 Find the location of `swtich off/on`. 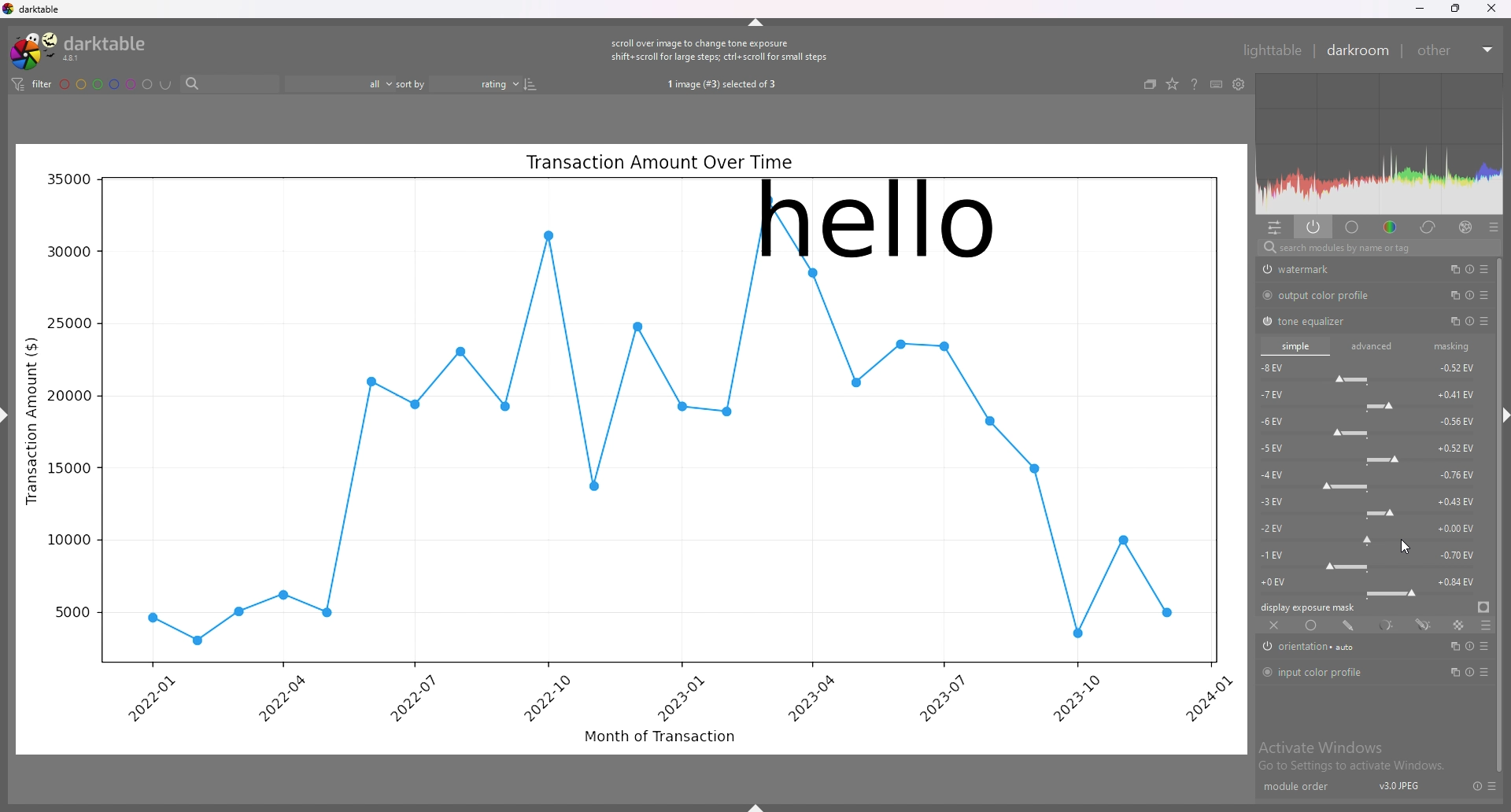

swtich off/on is located at coordinates (1265, 269).